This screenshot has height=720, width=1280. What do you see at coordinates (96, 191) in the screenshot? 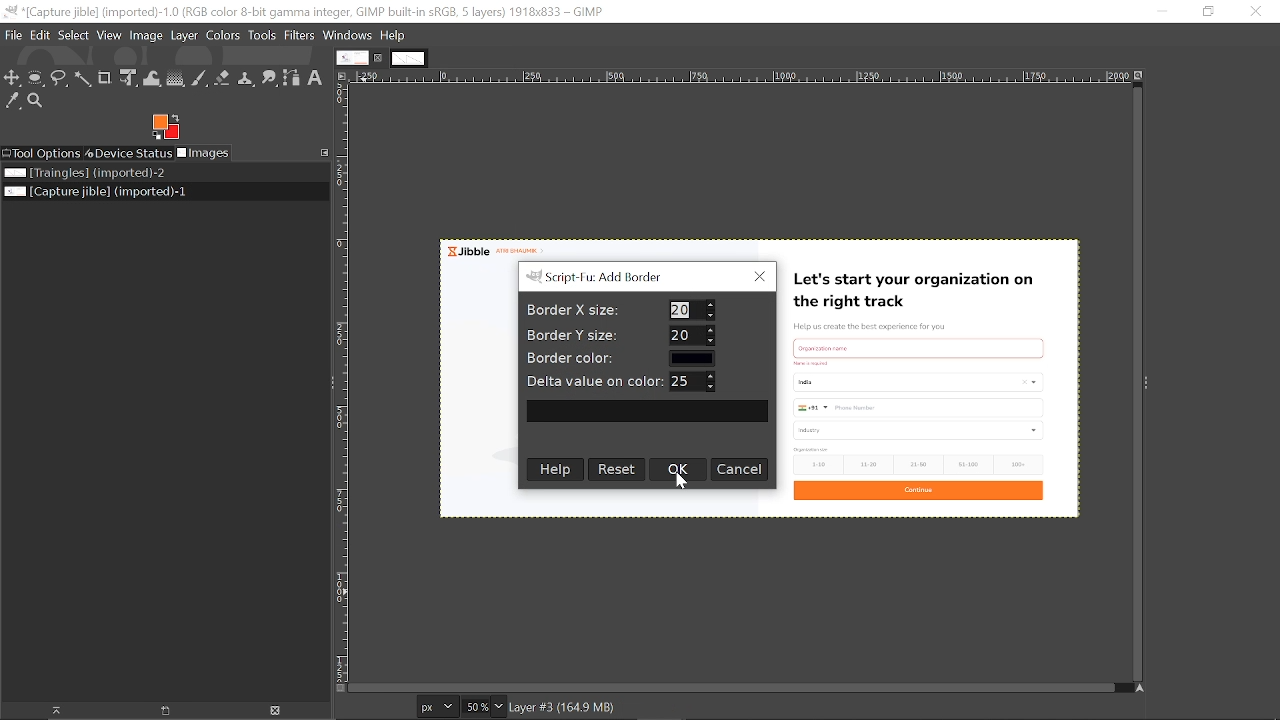
I see `Current file named "Capture Jible"` at bounding box center [96, 191].